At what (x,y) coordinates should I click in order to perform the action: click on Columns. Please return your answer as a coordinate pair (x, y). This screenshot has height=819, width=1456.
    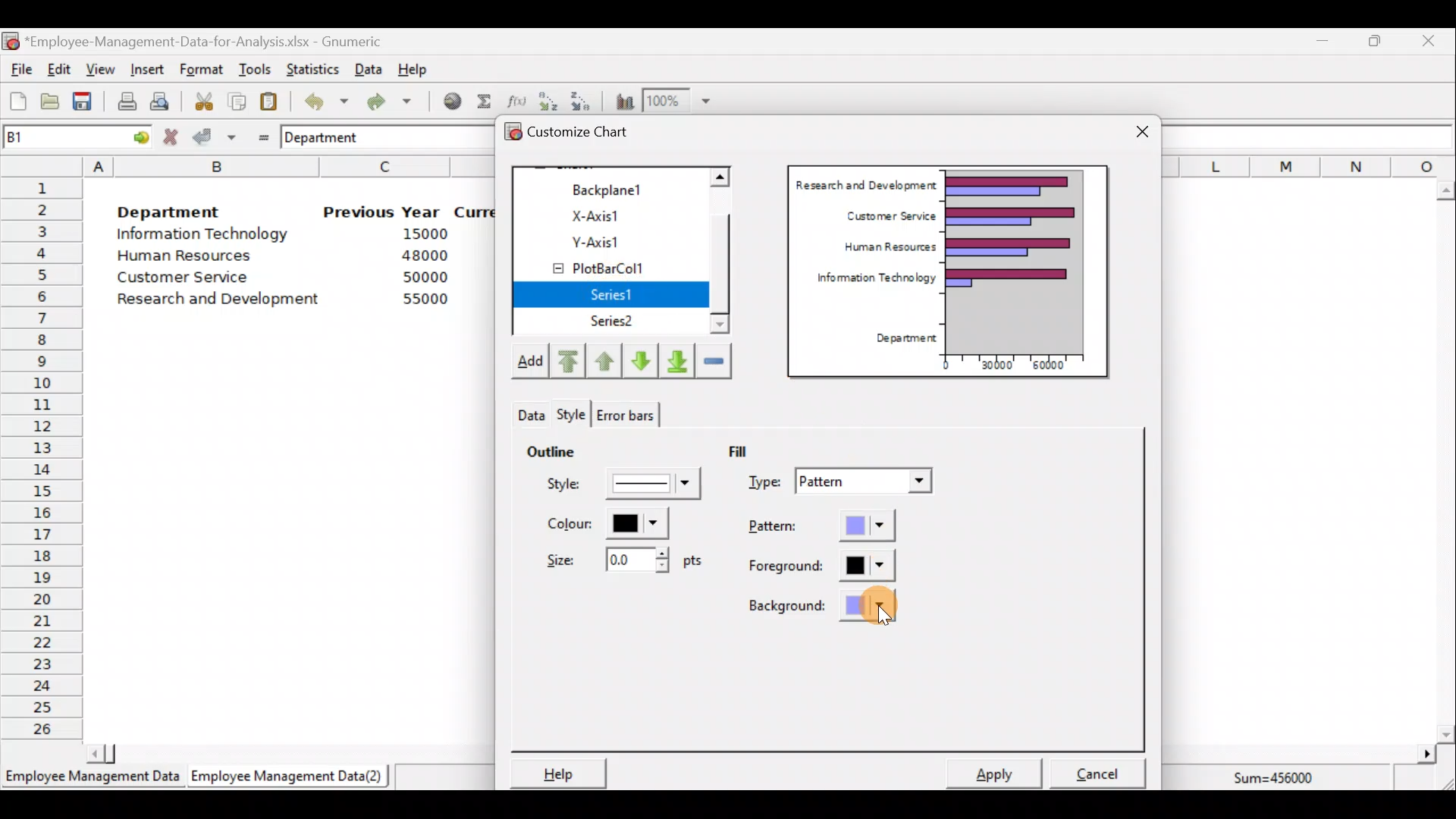
    Looking at the image, I should click on (1309, 165).